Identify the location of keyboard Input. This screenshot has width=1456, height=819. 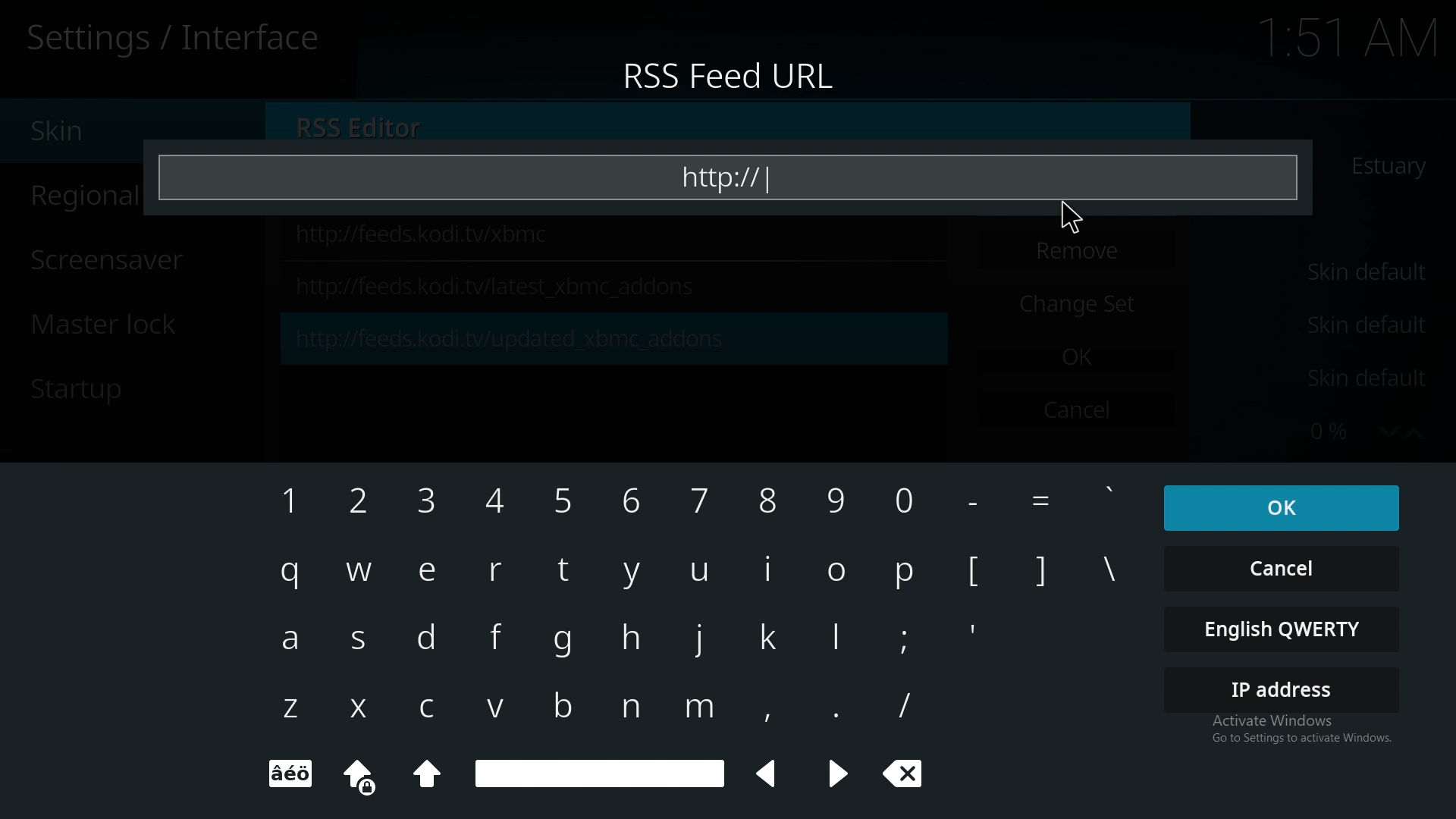
(841, 773).